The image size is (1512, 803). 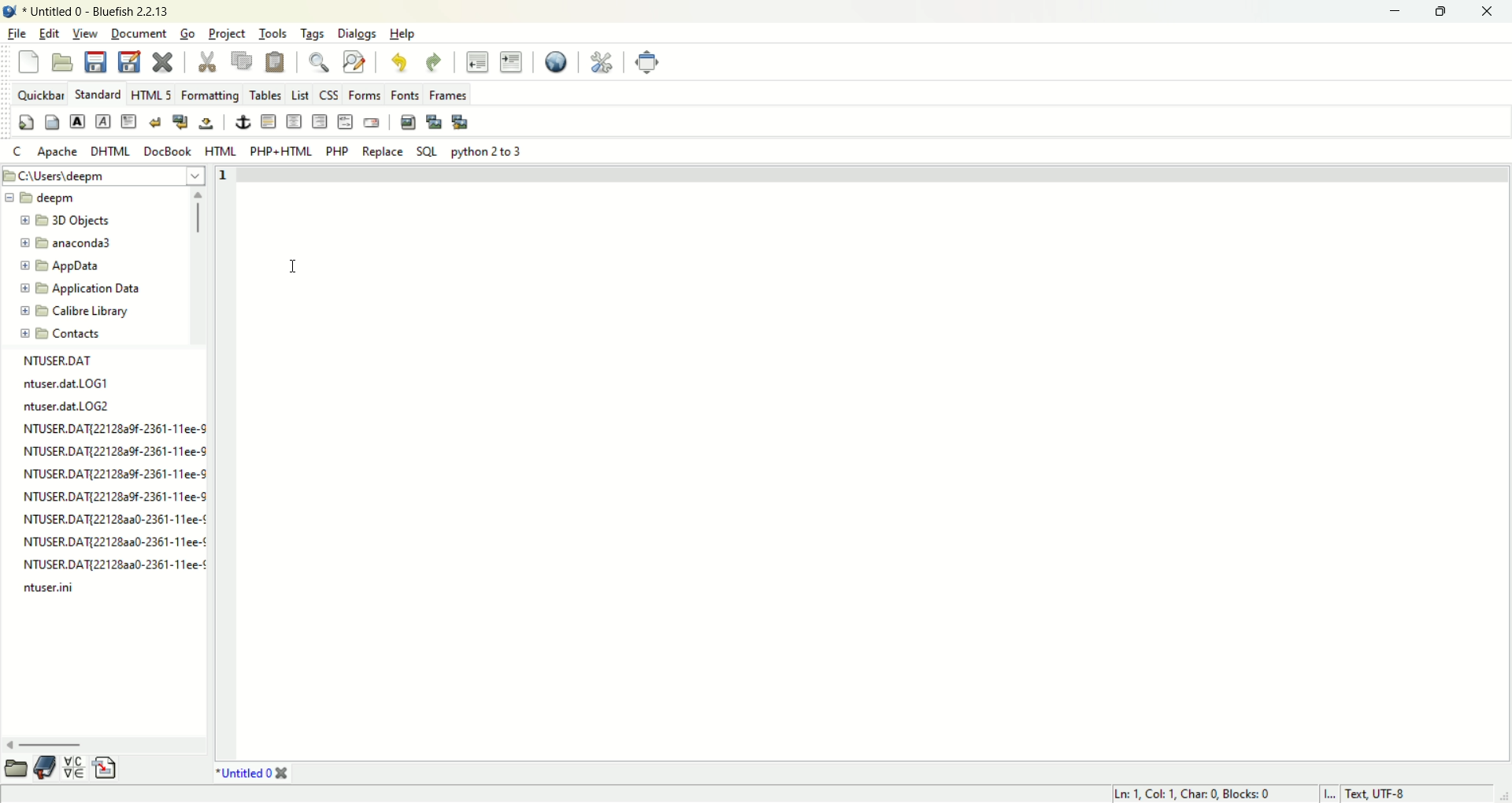 What do you see at coordinates (1445, 13) in the screenshot?
I see `maximize` at bounding box center [1445, 13].